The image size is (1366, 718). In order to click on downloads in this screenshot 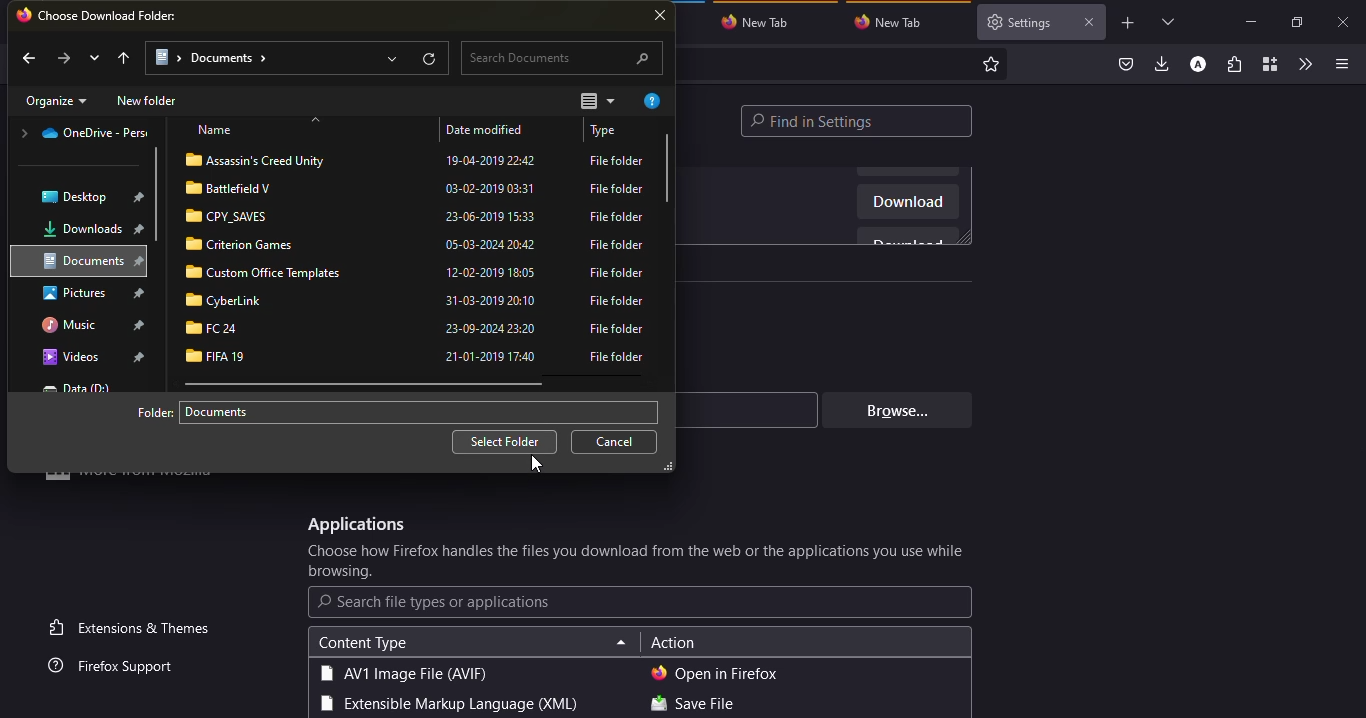, I will do `click(1163, 63)`.